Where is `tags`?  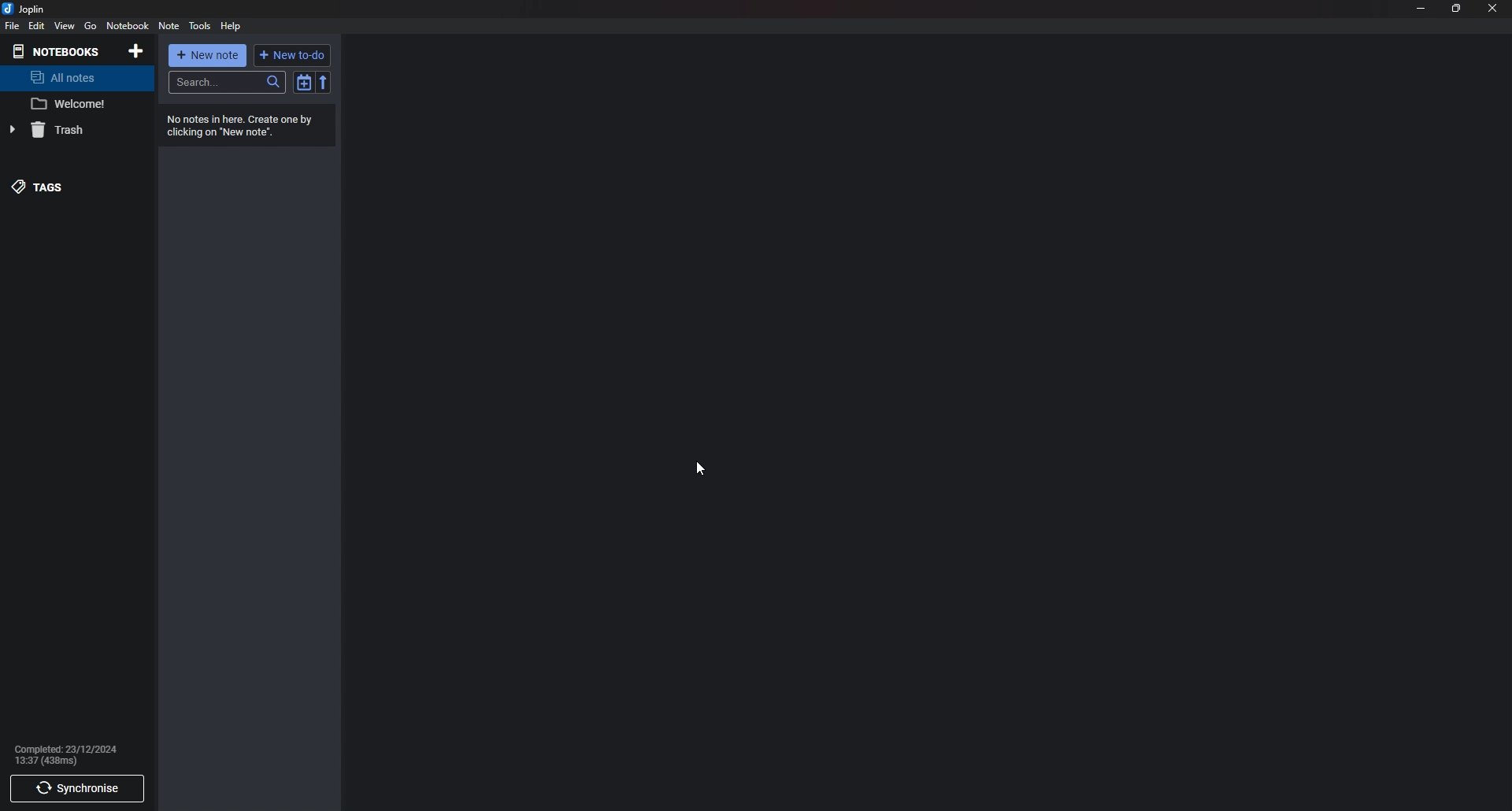
tags is located at coordinates (67, 183).